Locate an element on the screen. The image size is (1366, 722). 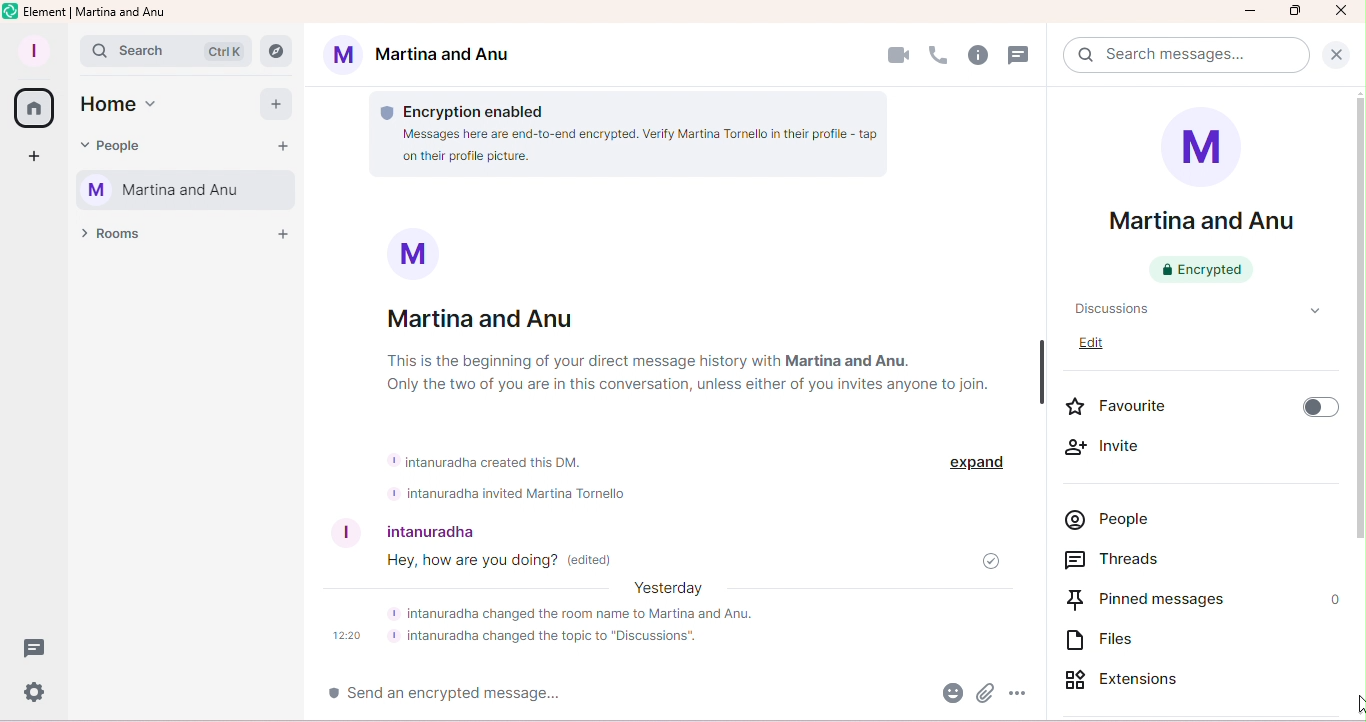
Favourites is located at coordinates (1201, 406).